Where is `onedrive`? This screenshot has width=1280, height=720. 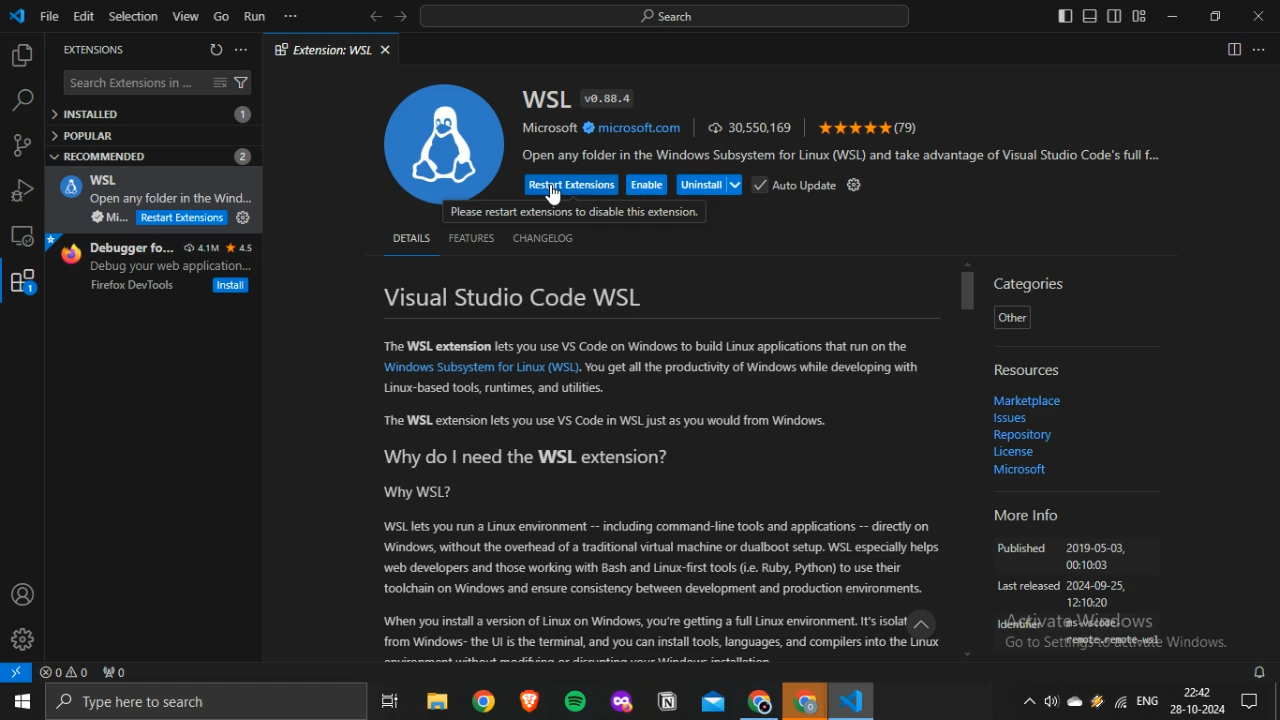 onedrive is located at coordinates (1075, 702).